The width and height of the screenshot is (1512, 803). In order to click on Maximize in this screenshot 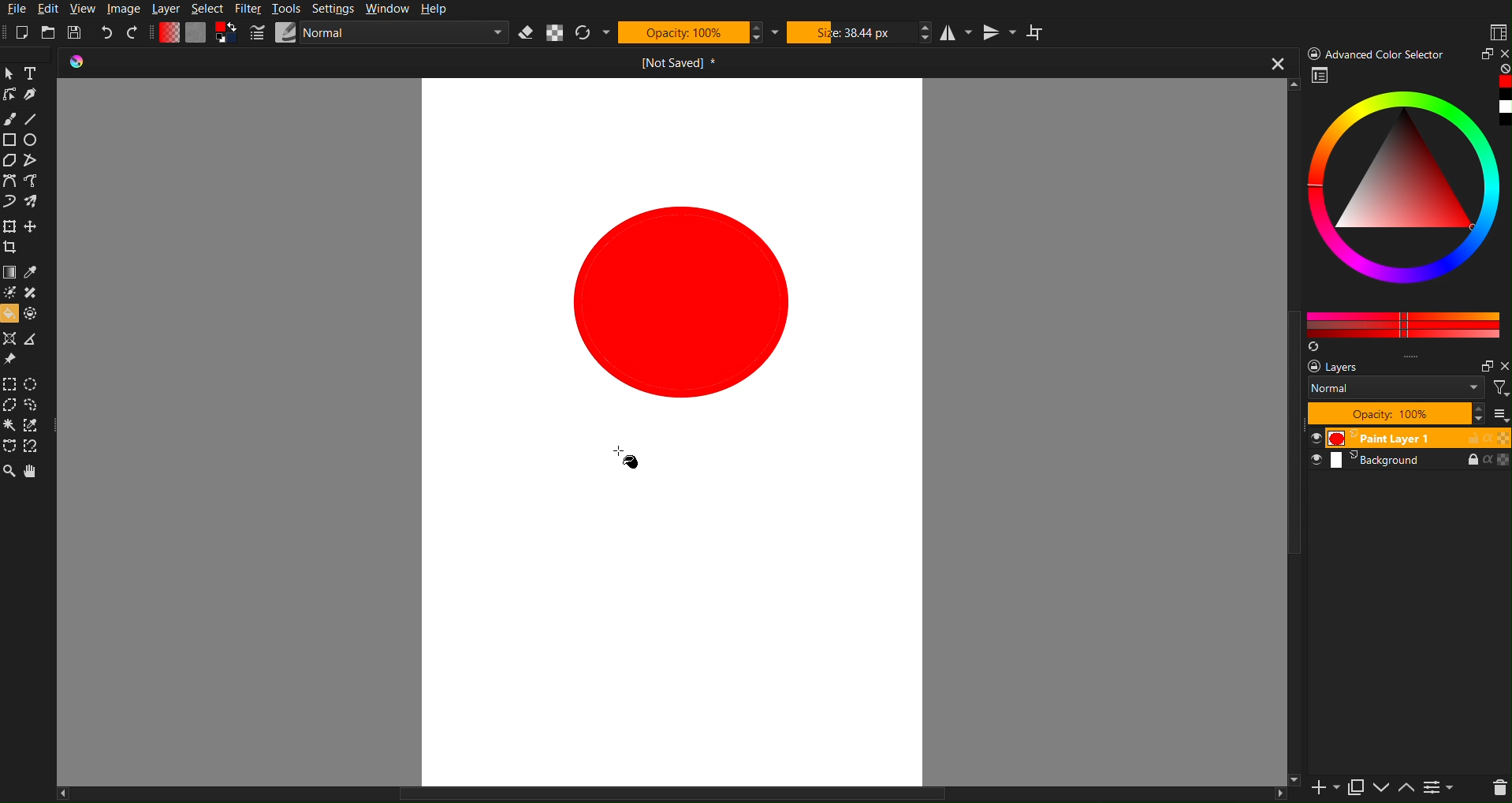, I will do `click(1484, 54)`.